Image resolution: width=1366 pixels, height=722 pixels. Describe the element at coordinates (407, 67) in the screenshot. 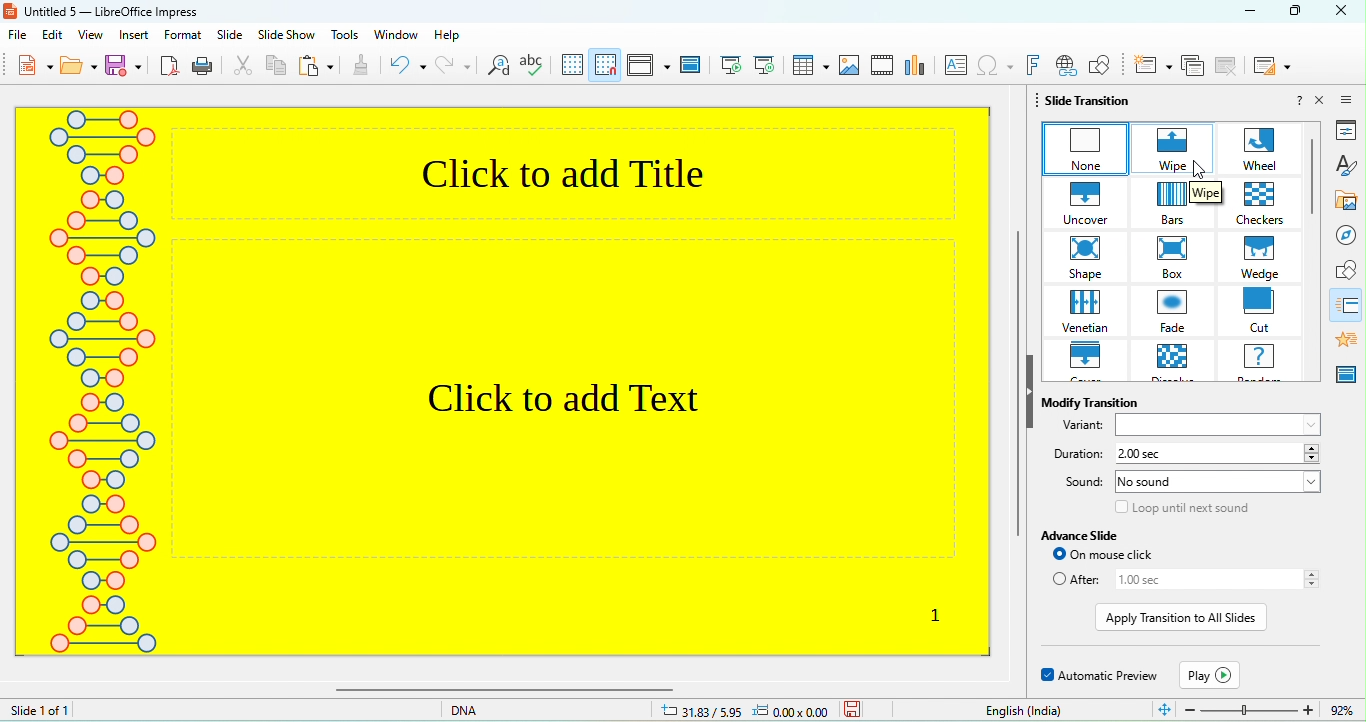

I see `undo` at that location.